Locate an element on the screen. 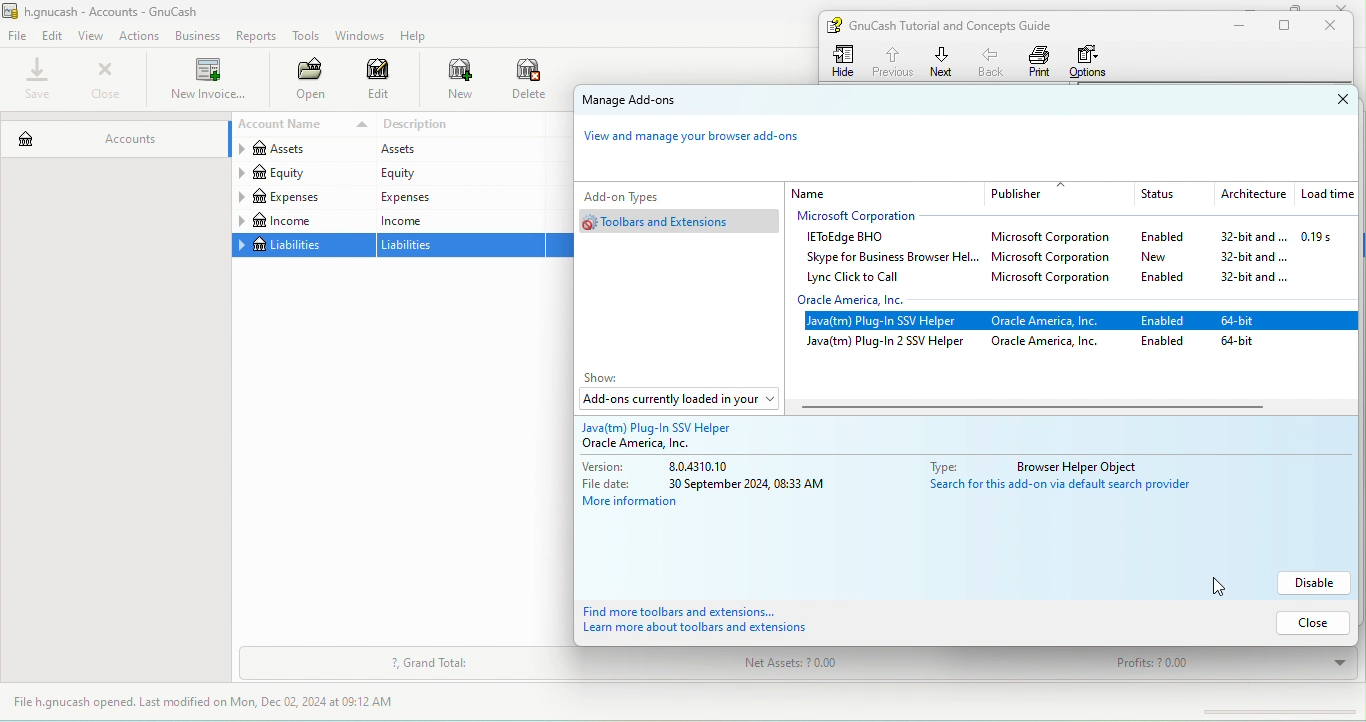  manage add ons  is located at coordinates (651, 102).